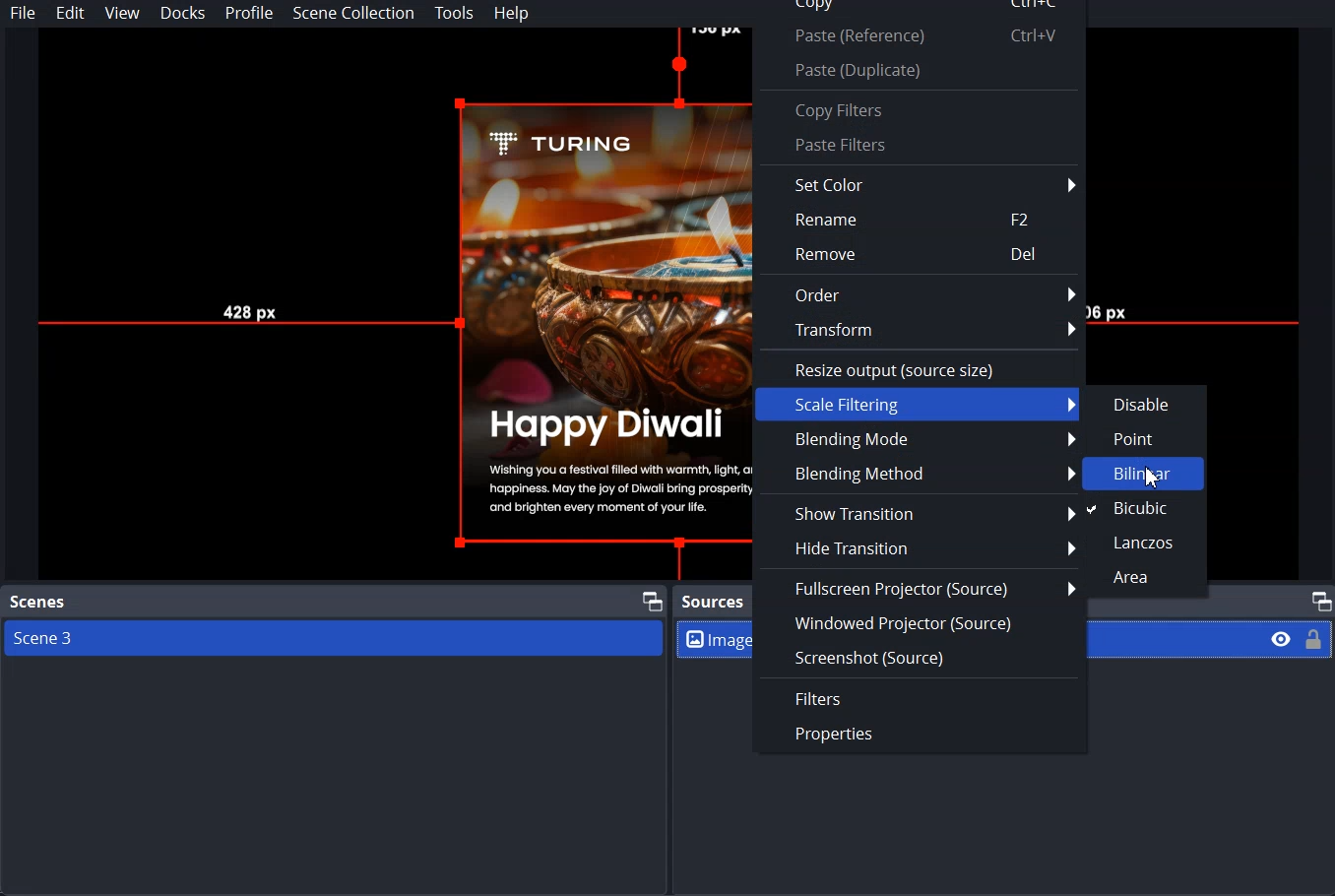 The width and height of the screenshot is (1335, 896). Describe the element at coordinates (1144, 474) in the screenshot. I see `bilinkar` at that location.